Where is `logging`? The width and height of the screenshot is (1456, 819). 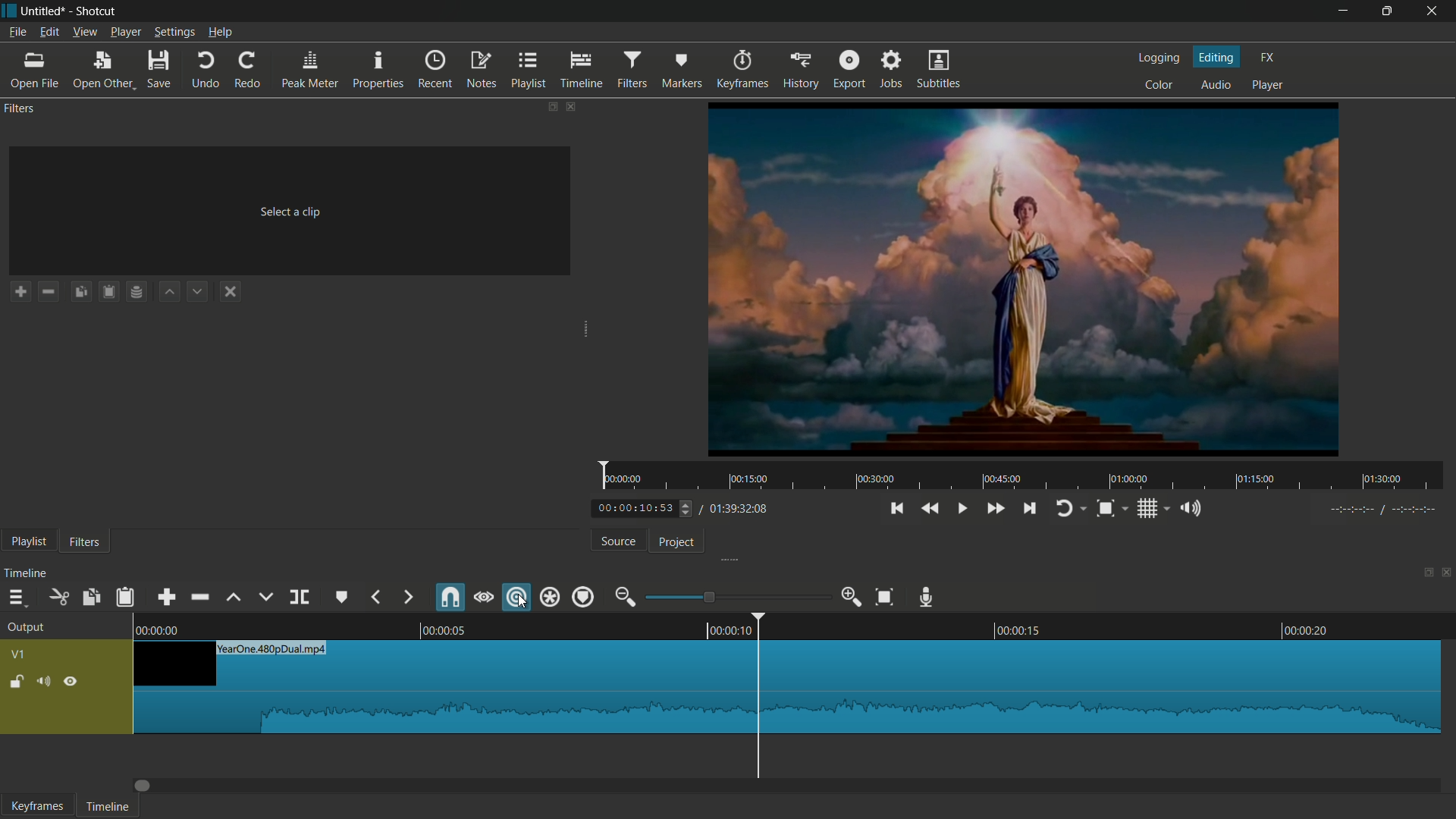 logging is located at coordinates (1159, 60).